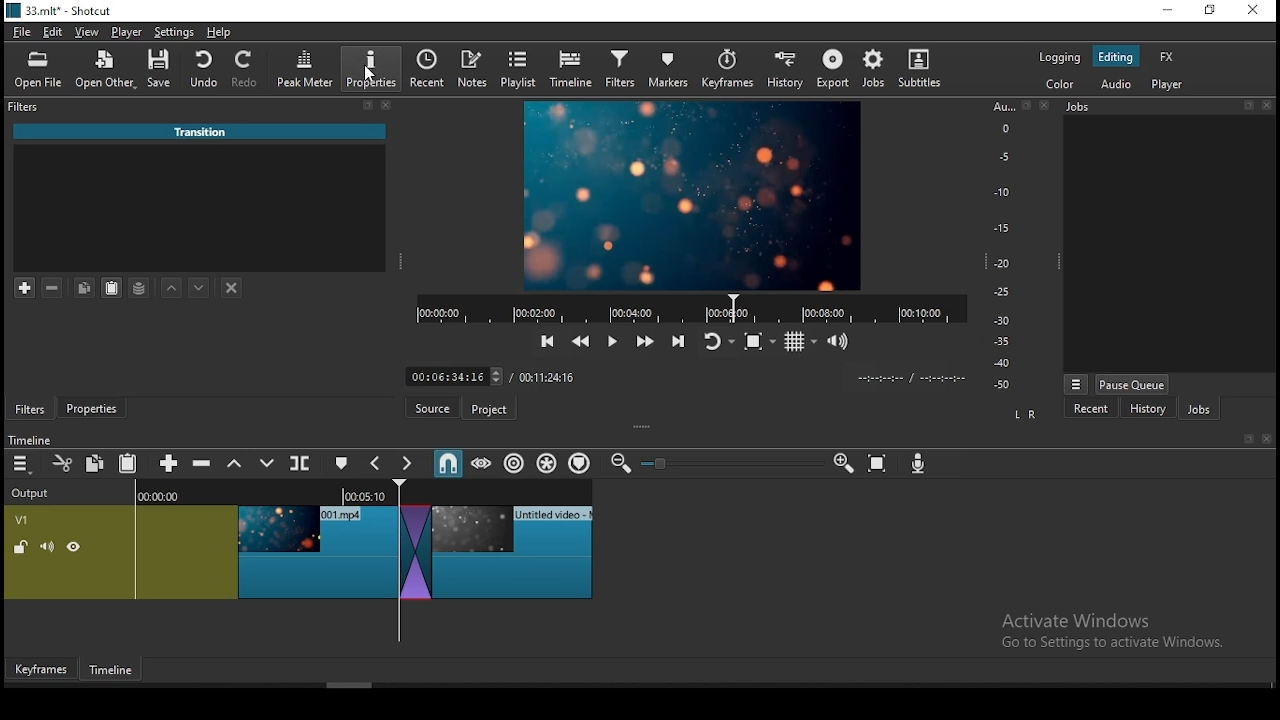 This screenshot has width=1280, height=720. I want to click on zoom timeline out, so click(618, 464).